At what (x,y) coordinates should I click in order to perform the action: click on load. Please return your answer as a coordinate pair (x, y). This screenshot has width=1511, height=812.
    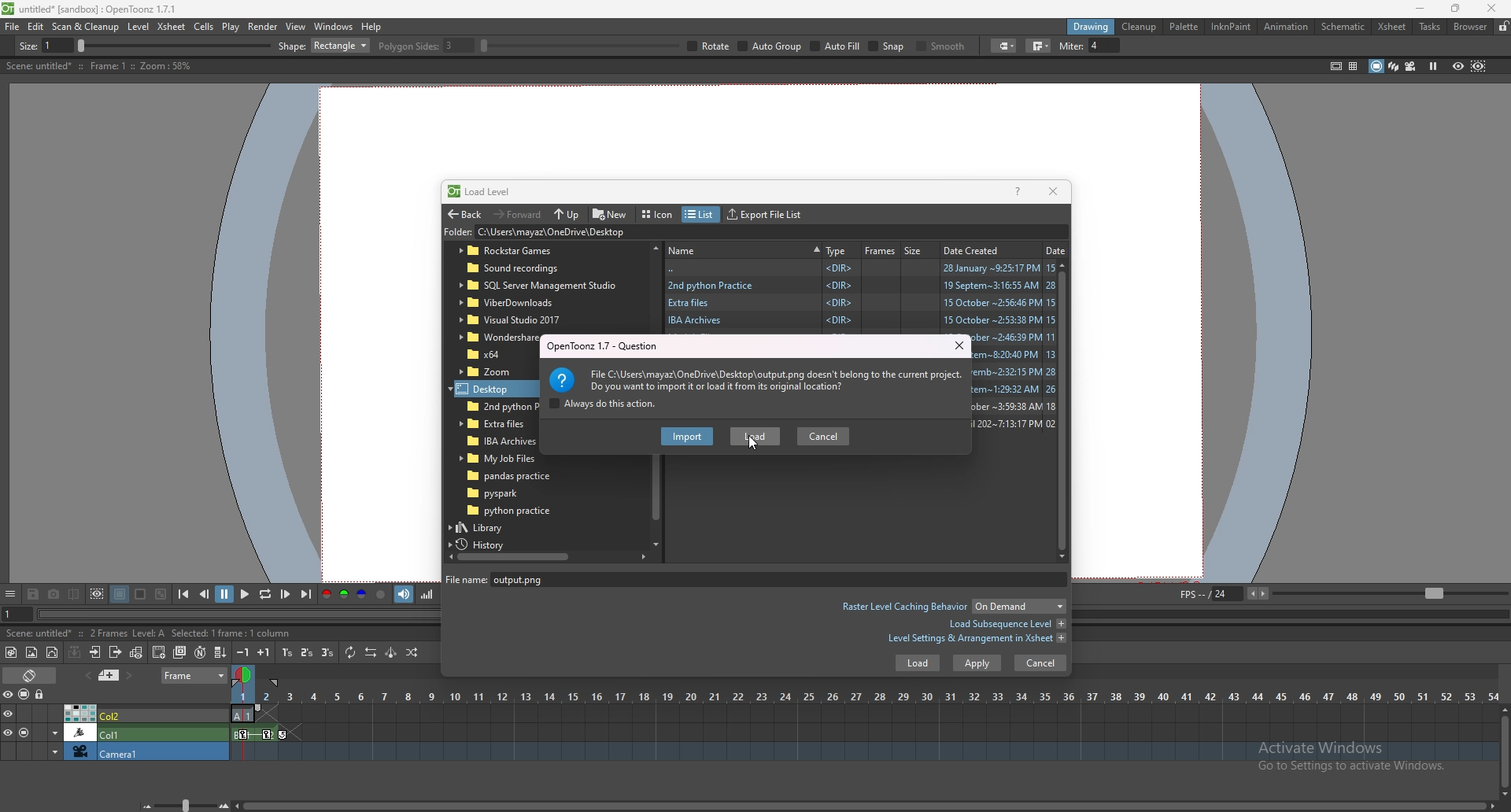
    Looking at the image, I should click on (755, 436).